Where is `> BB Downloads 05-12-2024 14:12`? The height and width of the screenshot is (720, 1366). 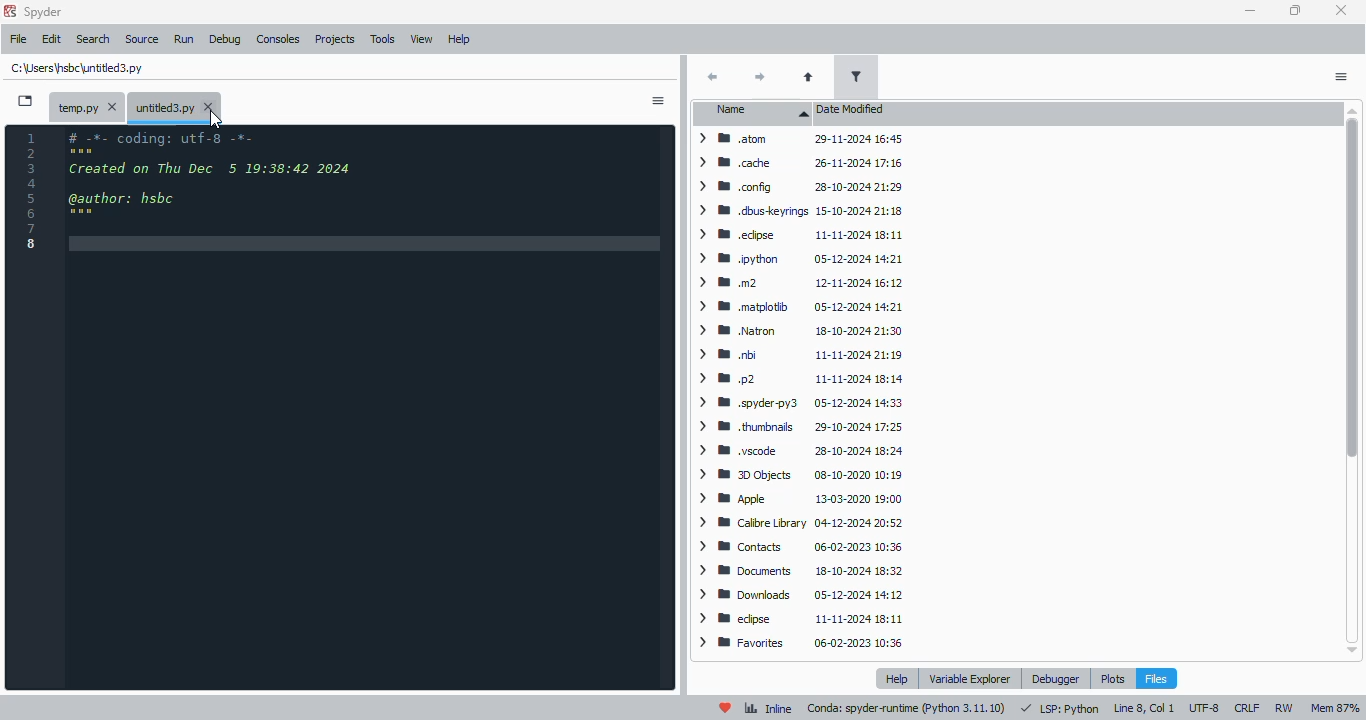
> BB Downloads 05-12-2024 14:12 is located at coordinates (798, 593).